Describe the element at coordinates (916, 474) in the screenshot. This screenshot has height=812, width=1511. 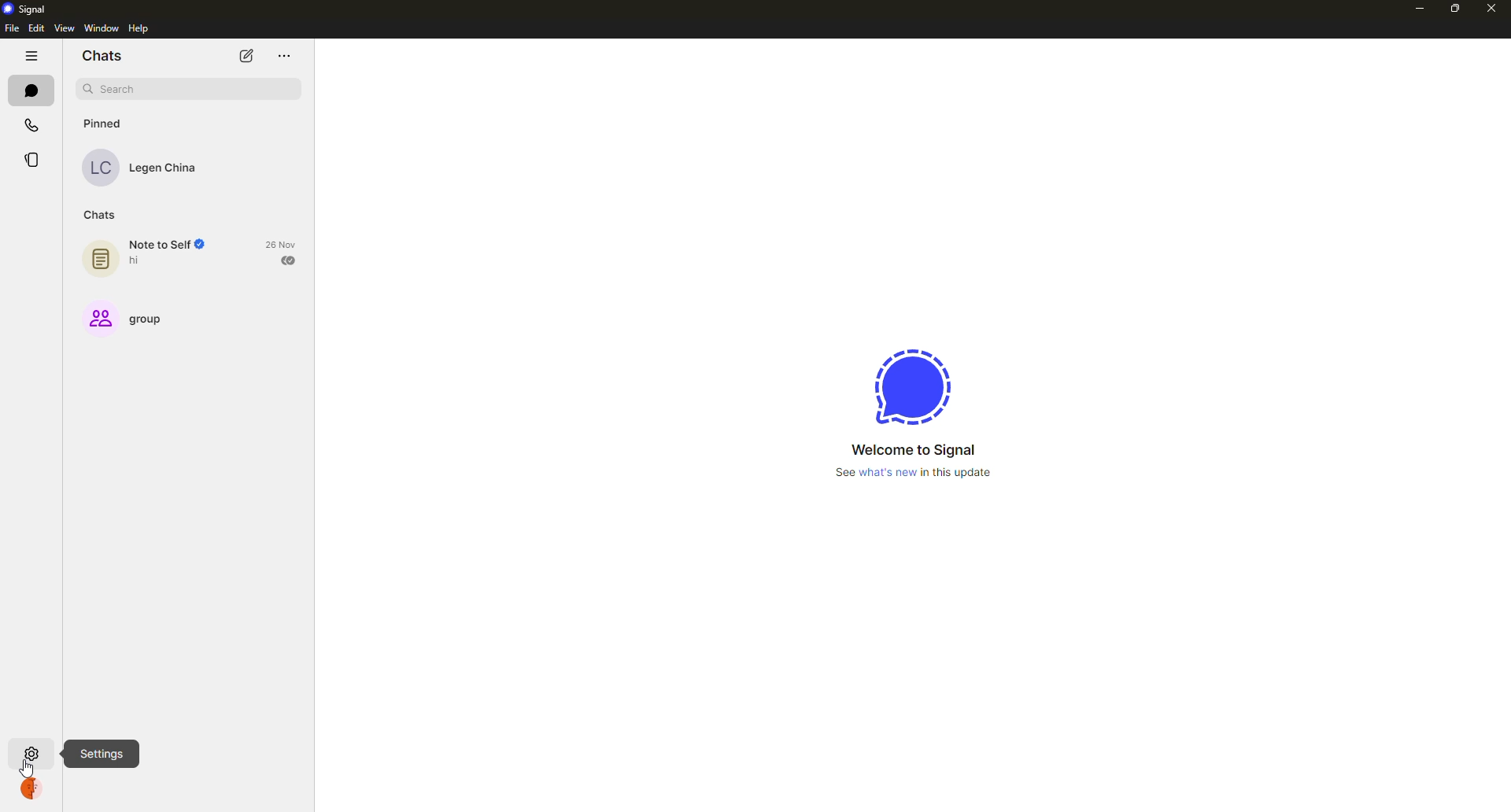
I see `what's new` at that location.